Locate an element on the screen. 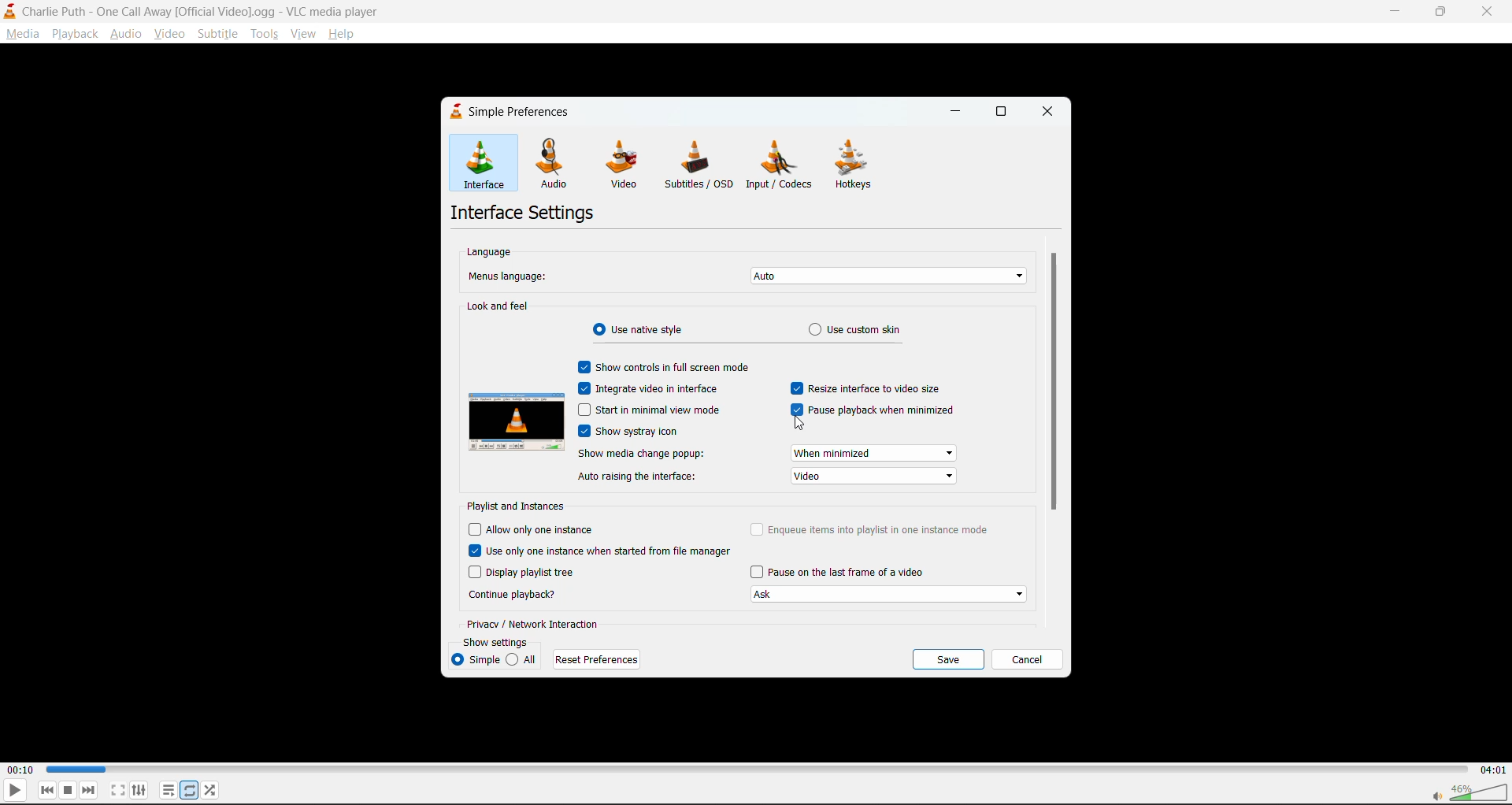  playback is located at coordinates (74, 35).